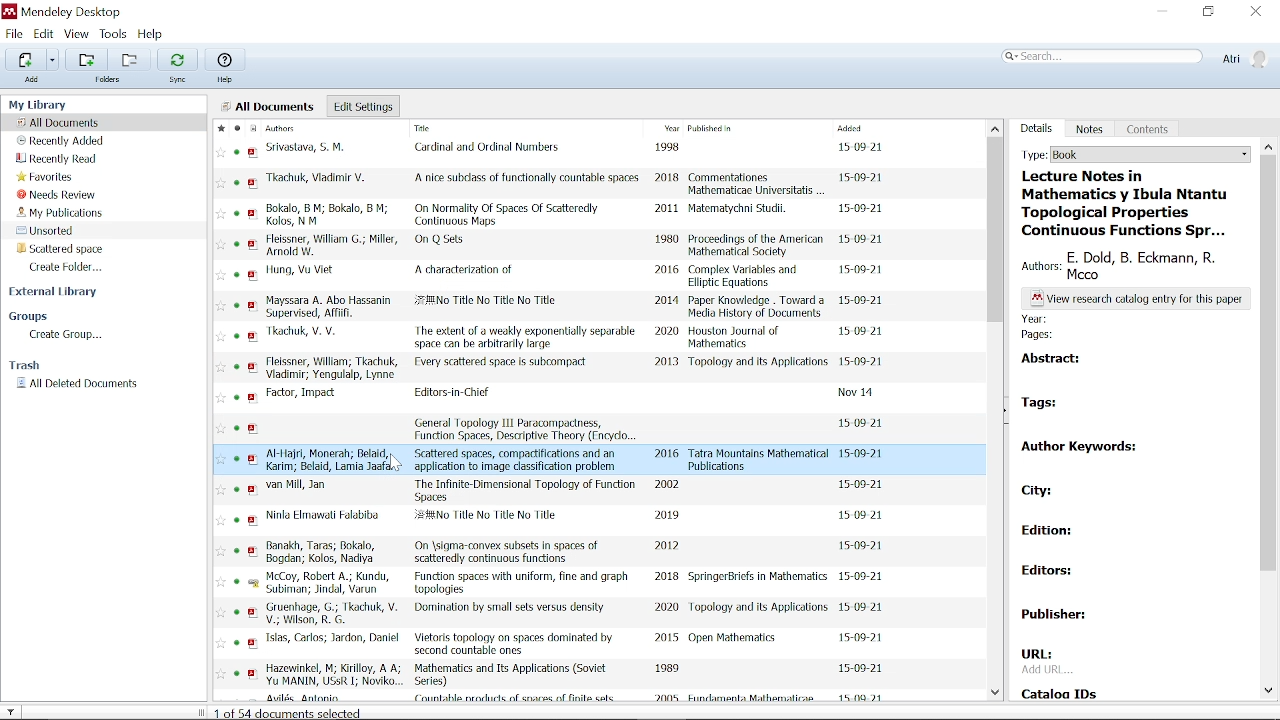 Image resolution: width=1280 pixels, height=720 pixels. What do you see at coordinates (236, 128) in the screenshot?
I see `Mark as read / unread` at bounding box center [236, 128].